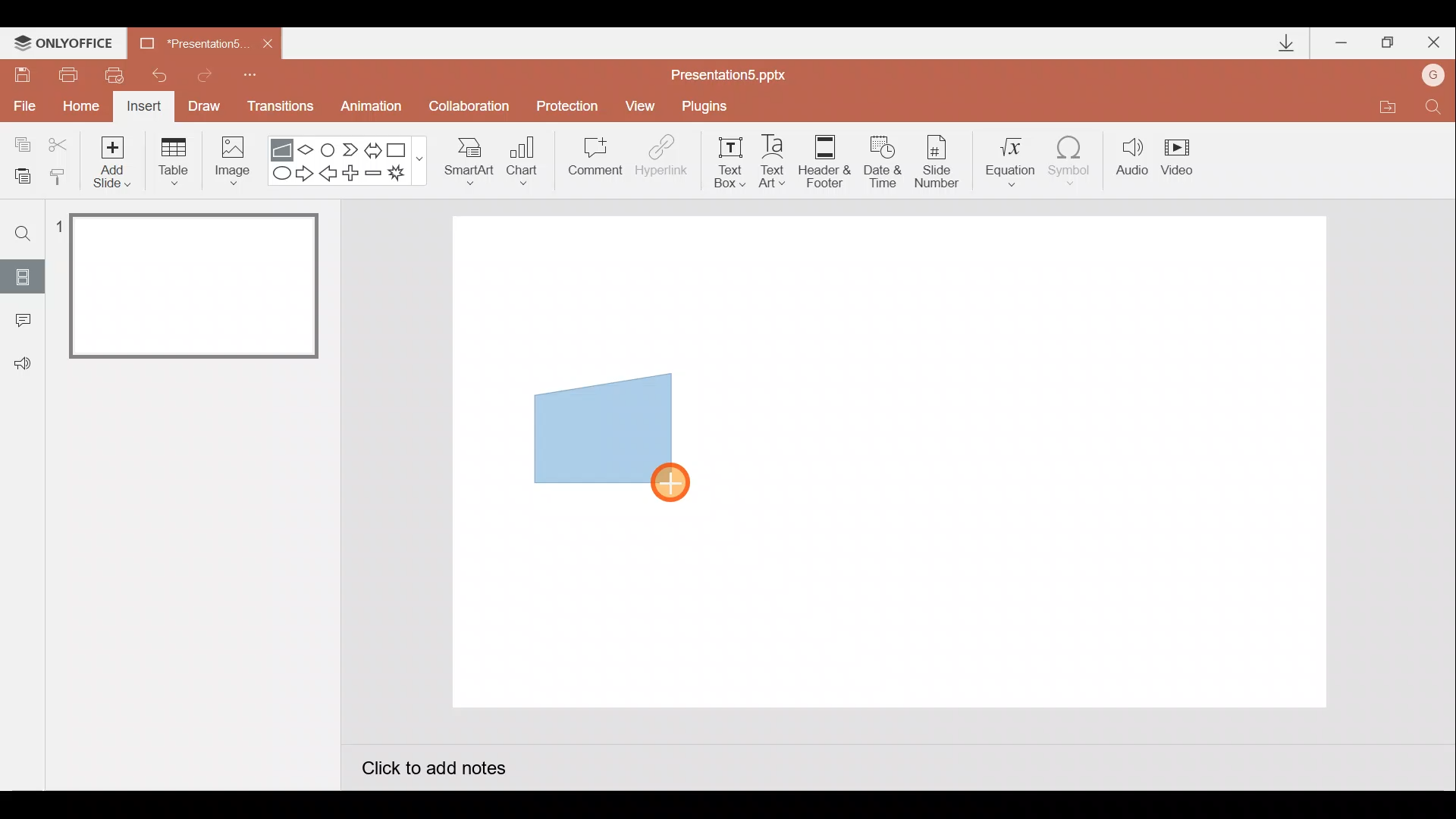 The image size is (1456, 819). What do you see at coordinates (21, 72) in the screenshot?
I see `Save` at bounding box center [21, 72].